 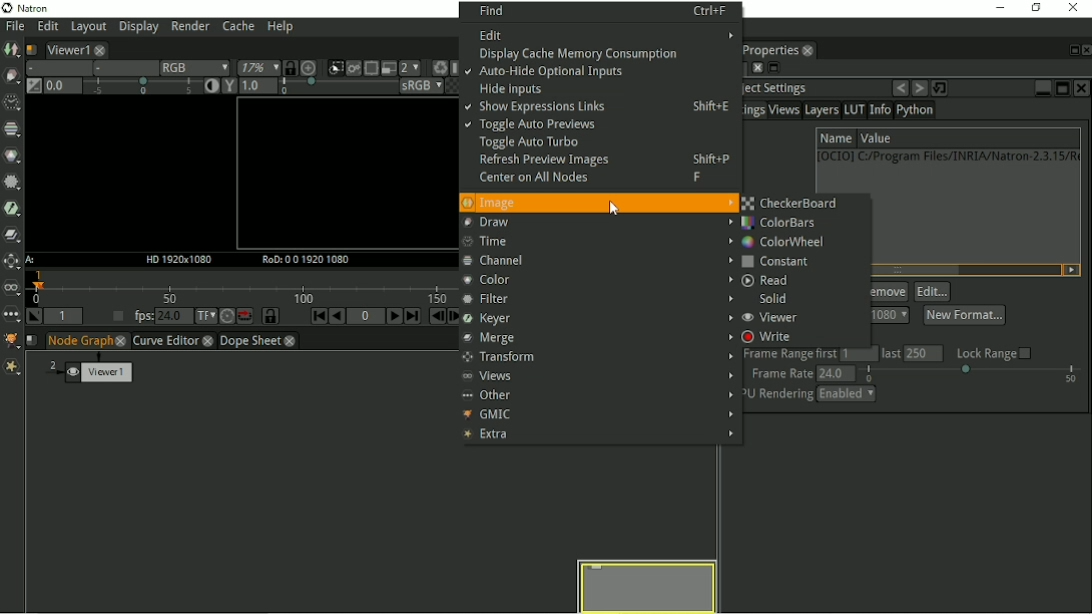 What do you see at coordinates (391, 316) in the screenshot?
I see `Play forward` at bounding box center [391, 316].